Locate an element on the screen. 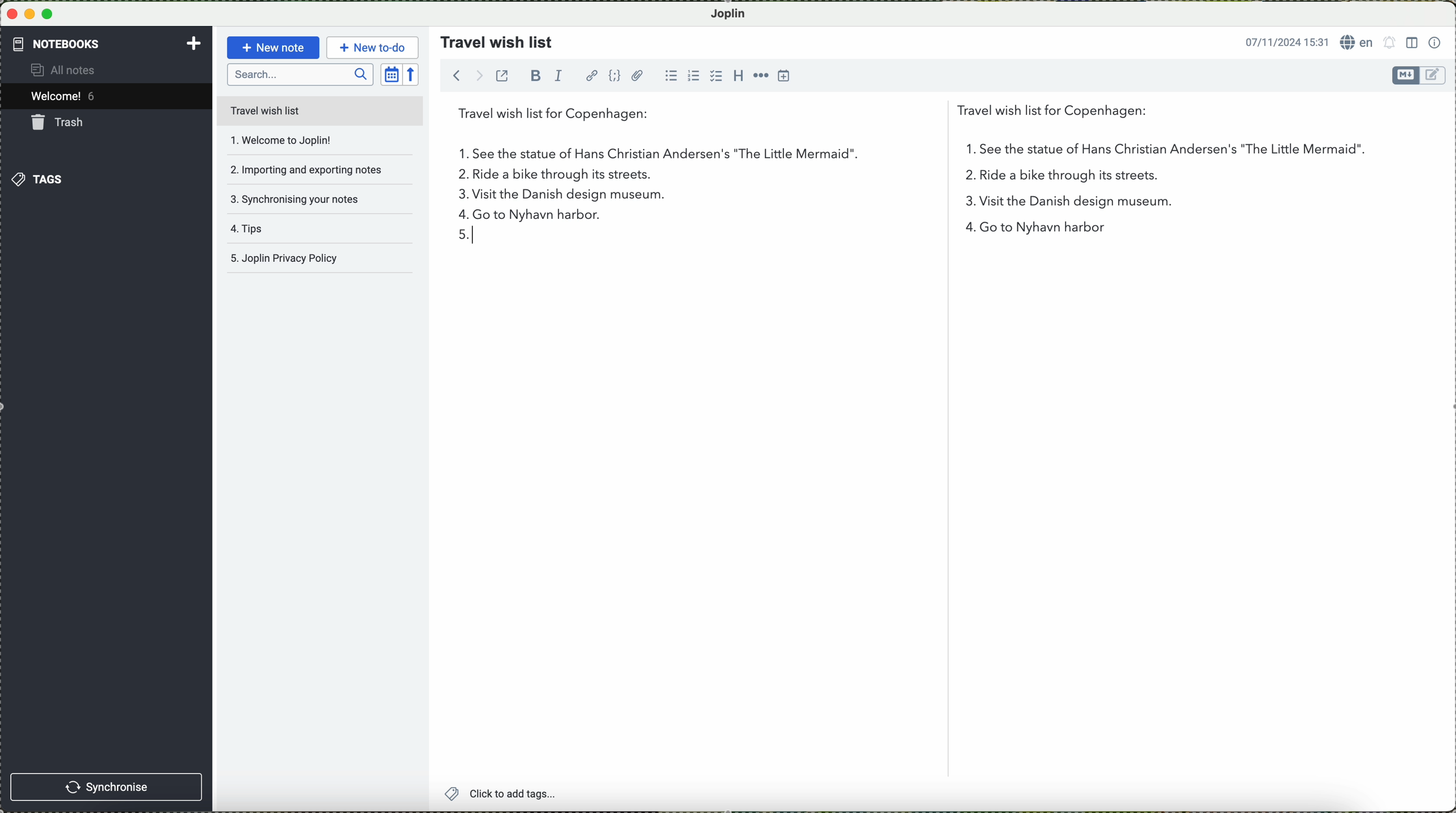 Image resolution: width=1456 pixels, height=813 pixels. maximize is located at coordinates (50, 14).